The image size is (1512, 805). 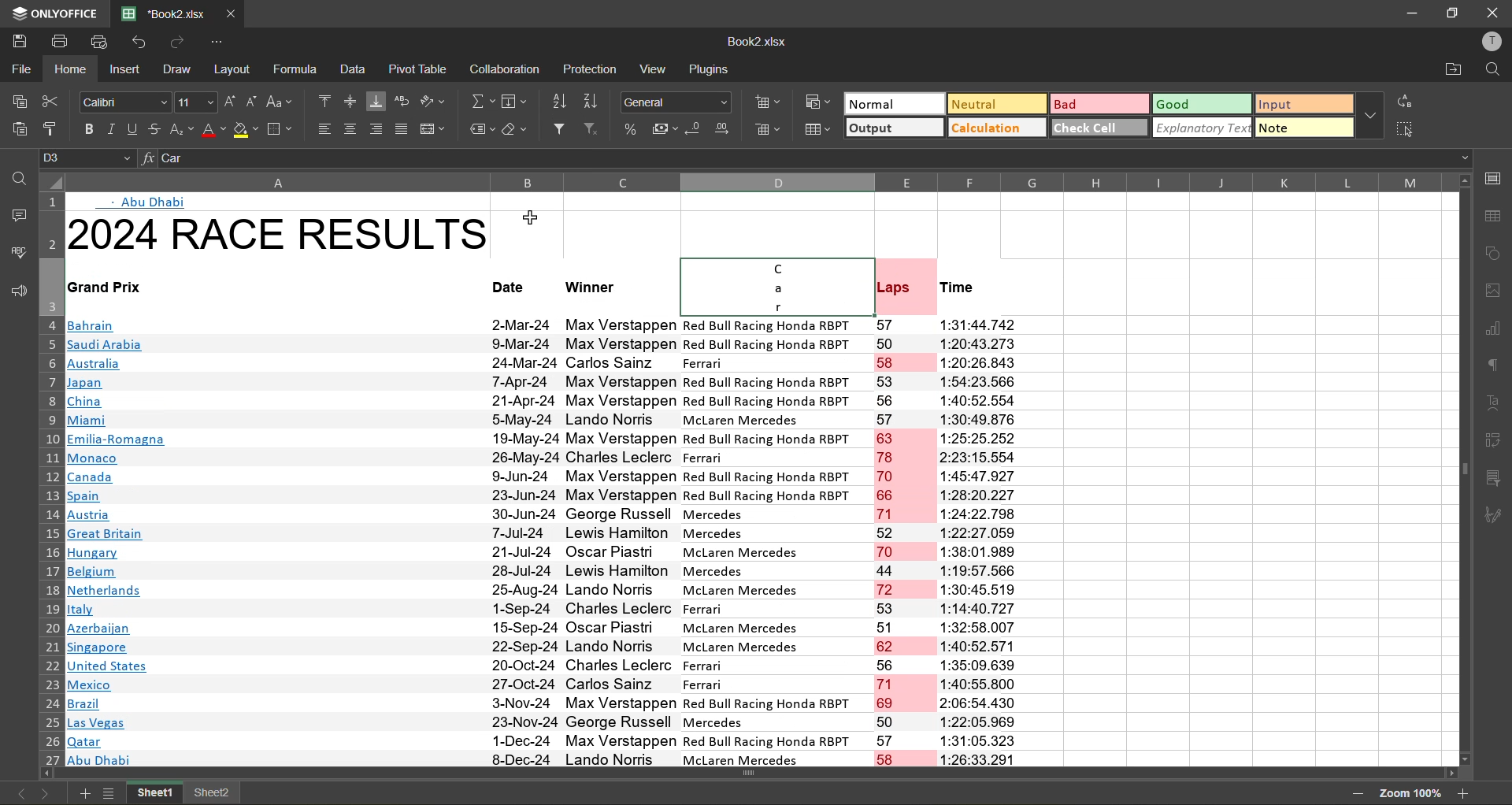 What do you see at coordinates (1102, 127) in the screenshot?
I see `check cell` at bounding box center [1102, 127].